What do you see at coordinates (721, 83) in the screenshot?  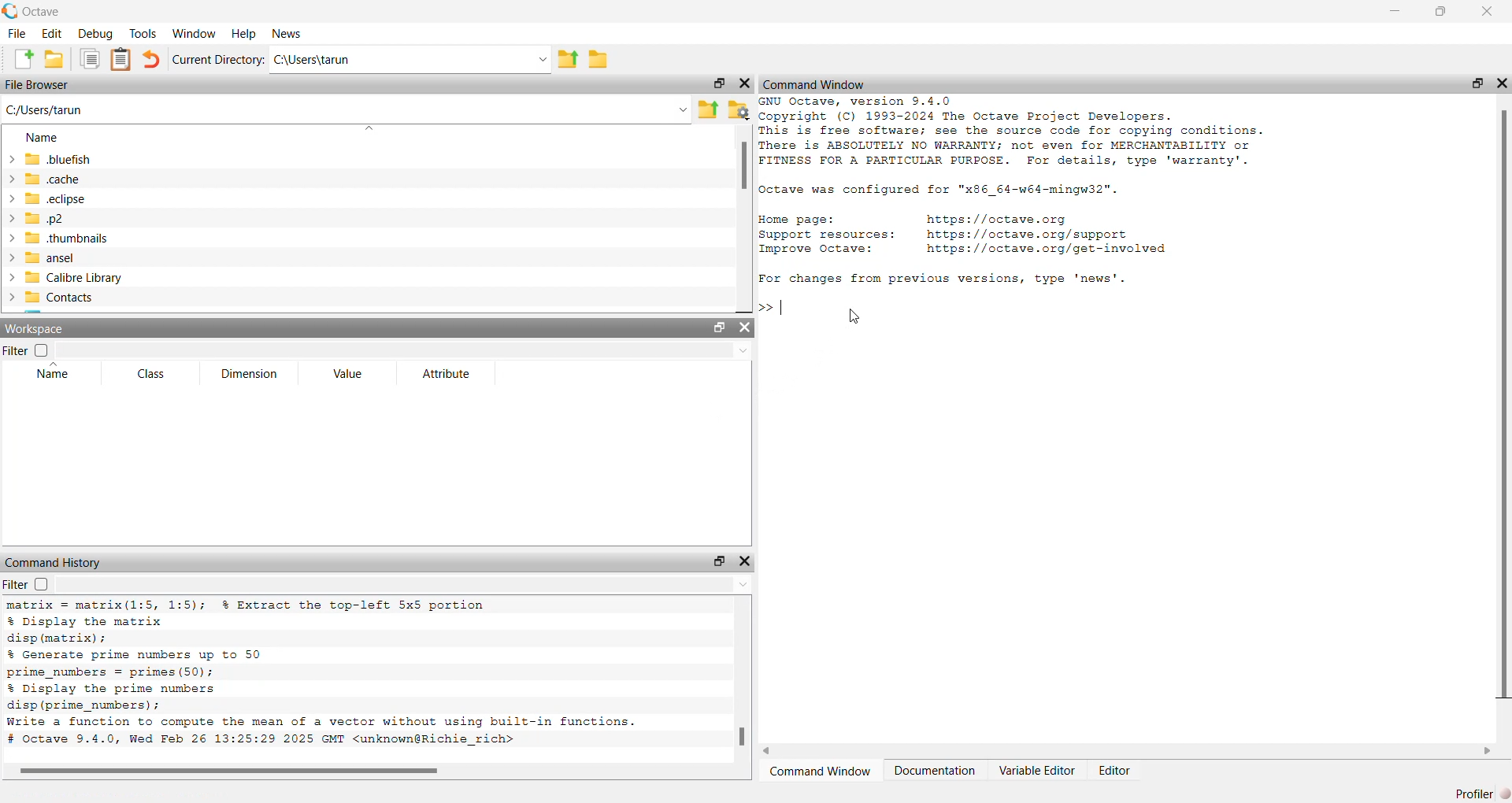 I see `open in separate window` at bounding box center [721, 83].